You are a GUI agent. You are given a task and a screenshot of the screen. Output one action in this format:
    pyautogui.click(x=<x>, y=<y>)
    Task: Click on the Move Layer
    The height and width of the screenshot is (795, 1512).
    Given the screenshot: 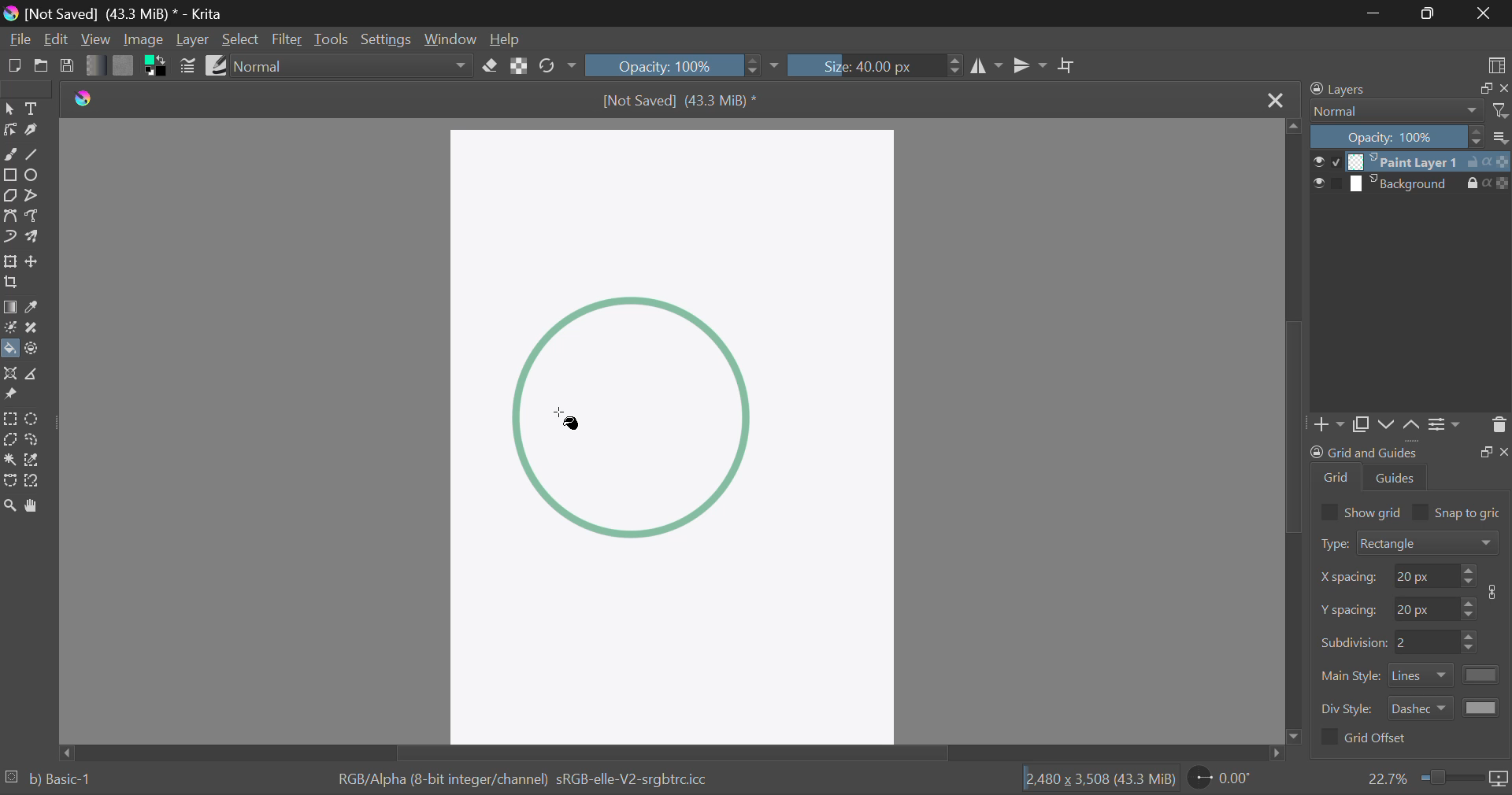 What is the action you would take?
    pyautogui.click(x=34, y=262)
    